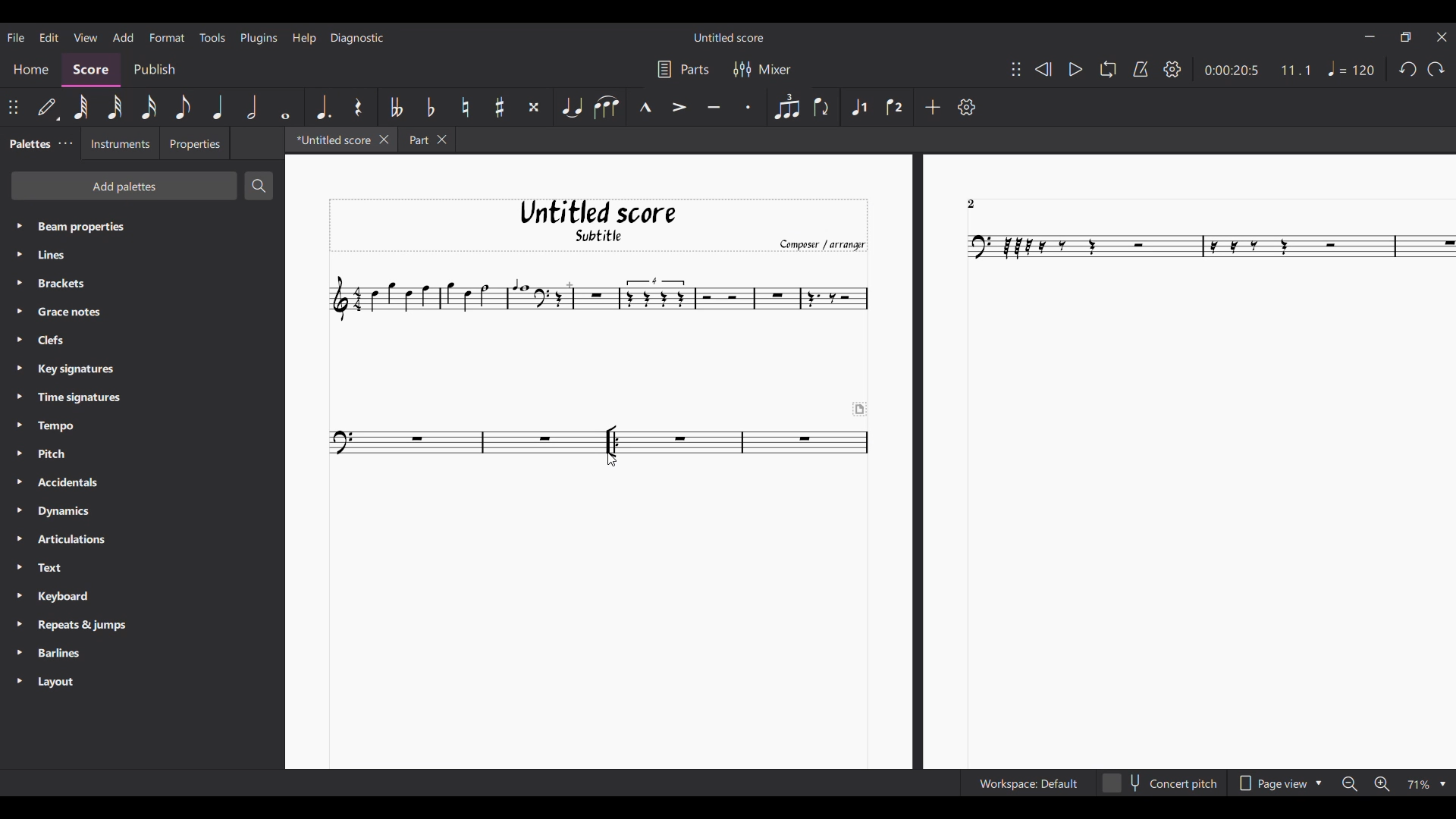 The height and width of the screenshot is (819, 1456). I want to click on Tuplet, so click(787, 106).